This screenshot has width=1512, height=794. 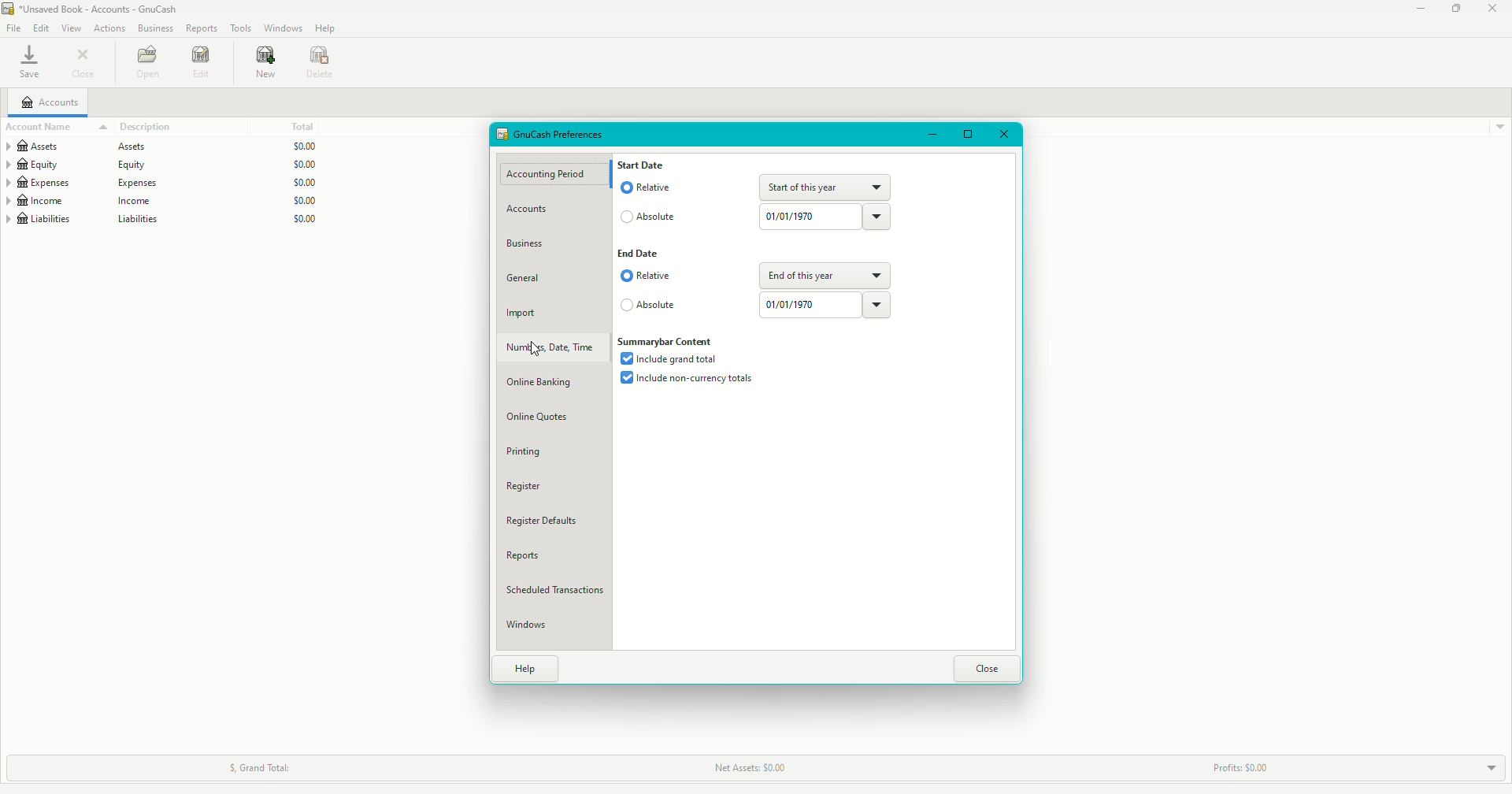 I want to click on Online Banking, so click(x=549, y=383).